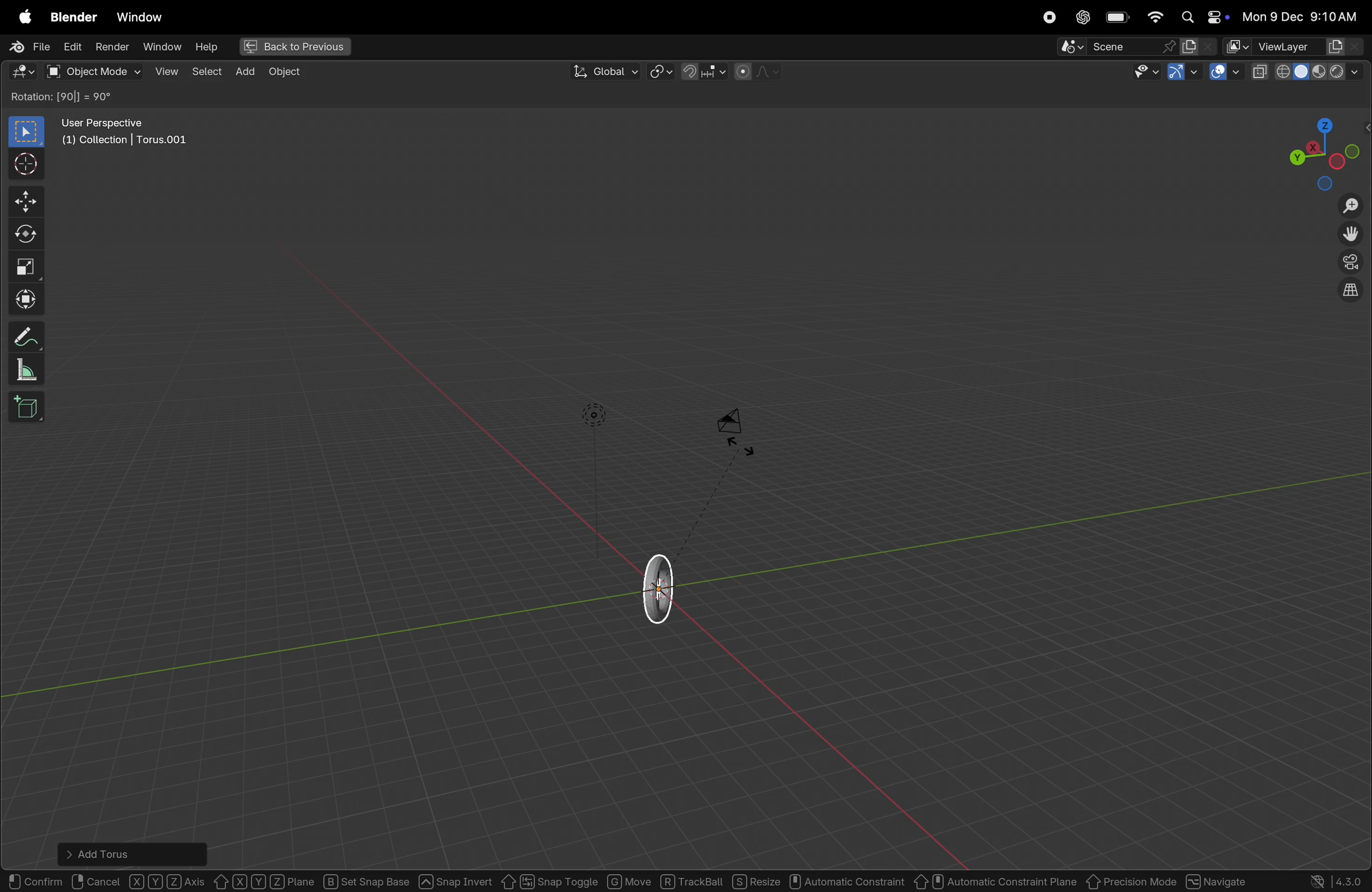 The height and width of the screenshot is (892, 1372). What do you see at coordinates (1350, 292) in the screenshot?
I see `orthogonal perspective` at bounding box center [1350, 292].